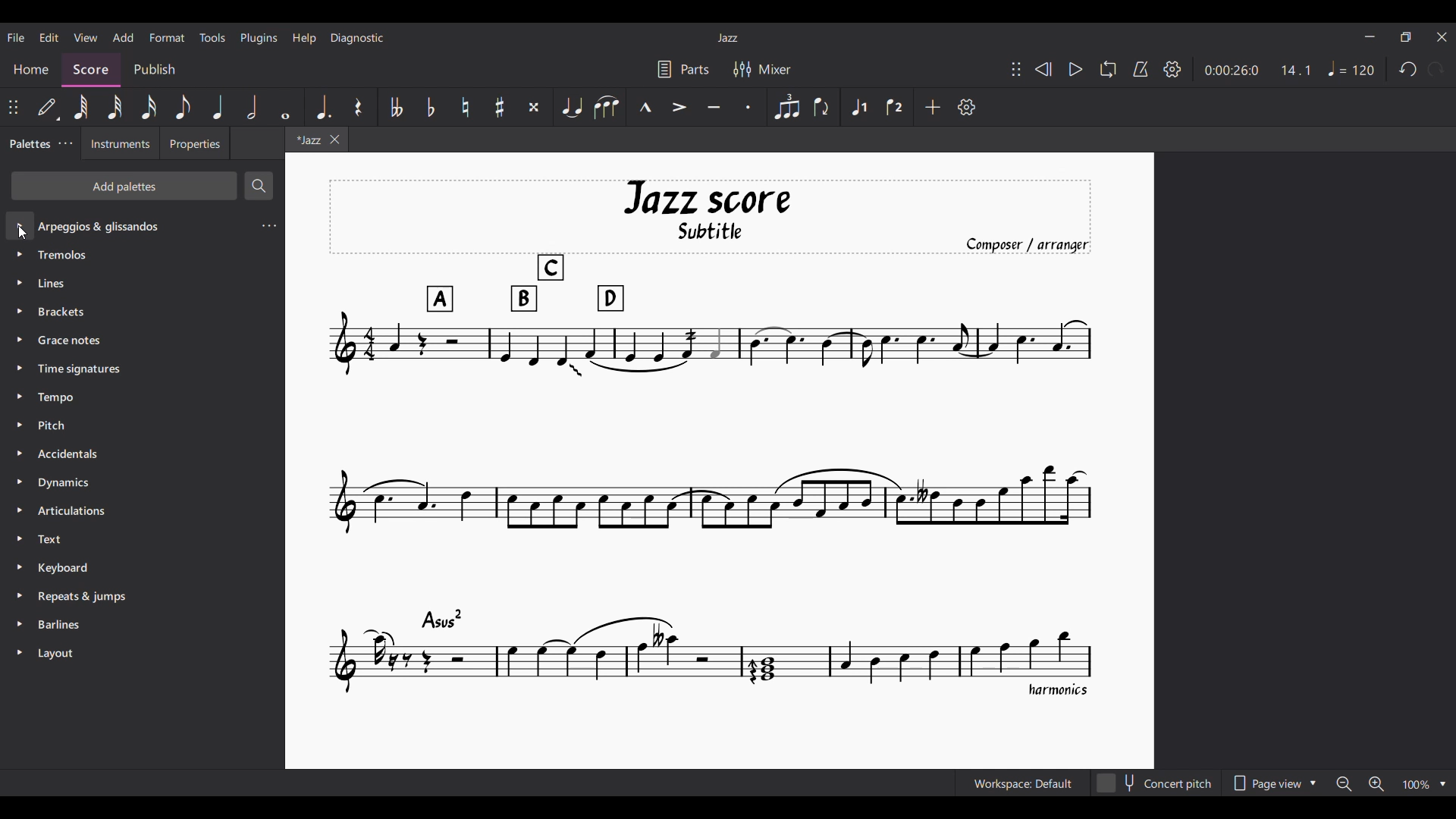 The image size is (1456, 819). What do you see at coordinates (359, 107) in the screenshot?
I see `Rest` at bounding box center [359, 107].